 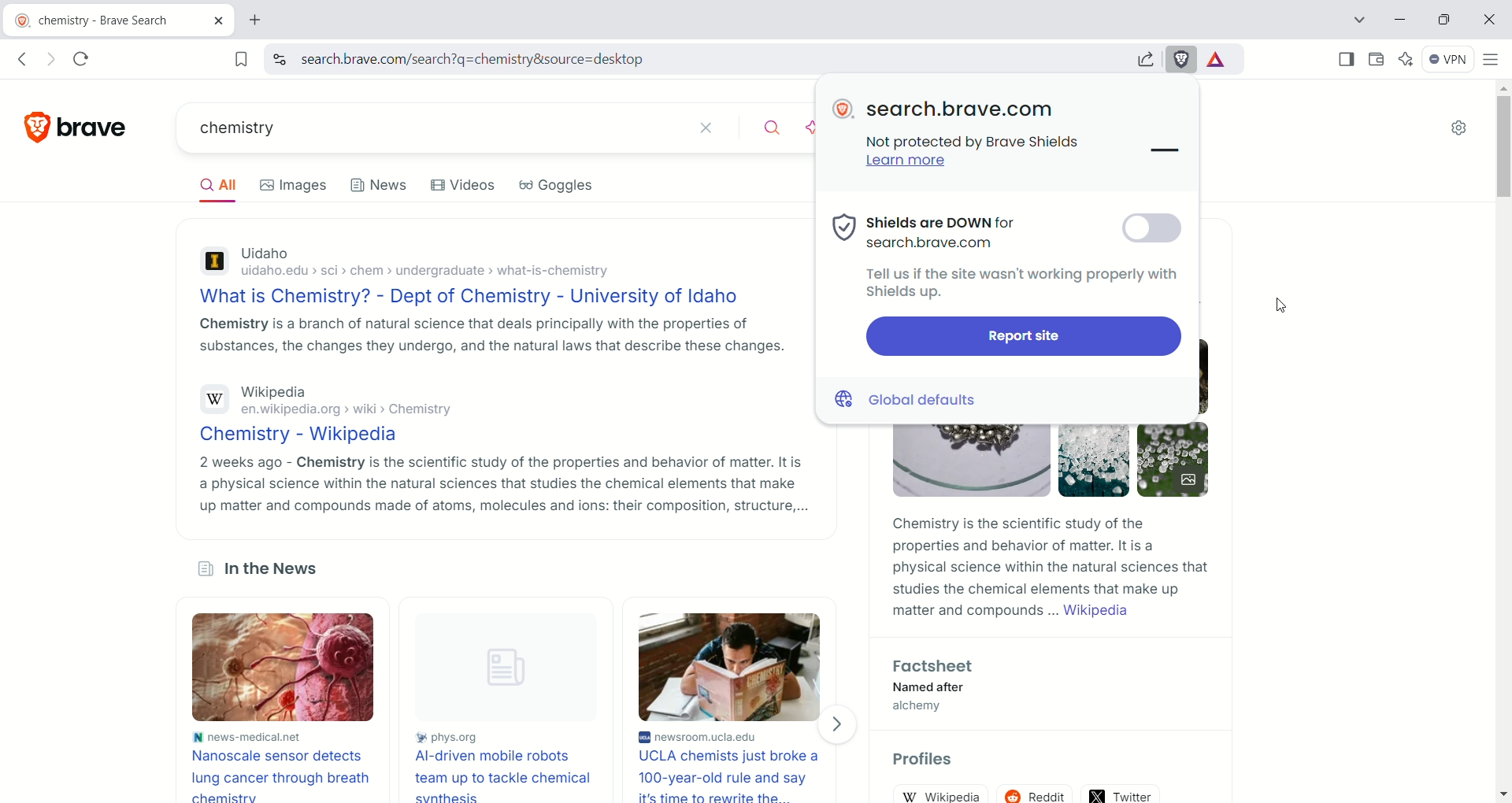 I want to click on Brave logo, so click(x=78, y=127).